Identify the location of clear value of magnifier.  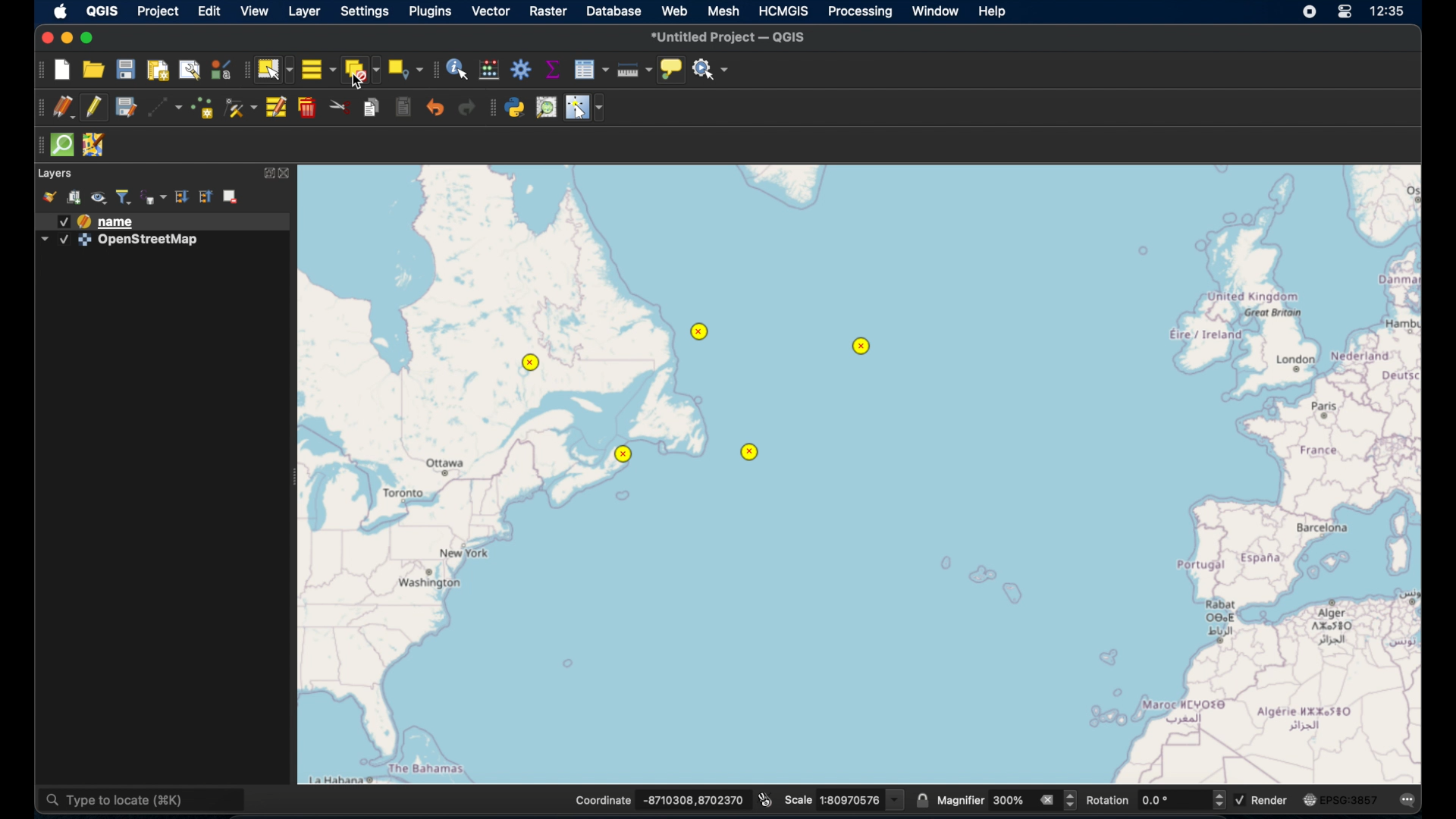
(1049, 801).